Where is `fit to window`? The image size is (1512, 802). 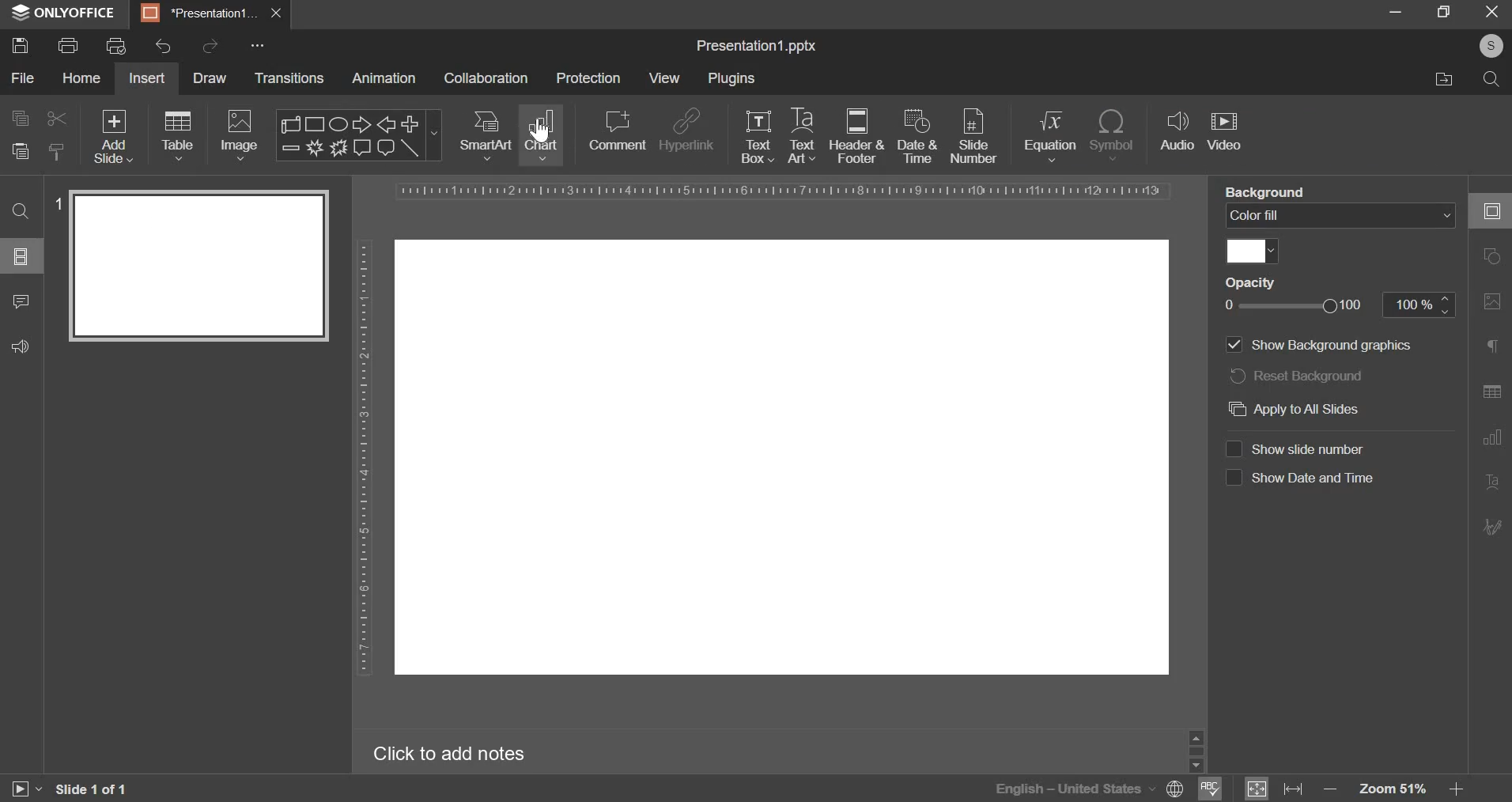 fit to window is located at coordinates (1260, 789).